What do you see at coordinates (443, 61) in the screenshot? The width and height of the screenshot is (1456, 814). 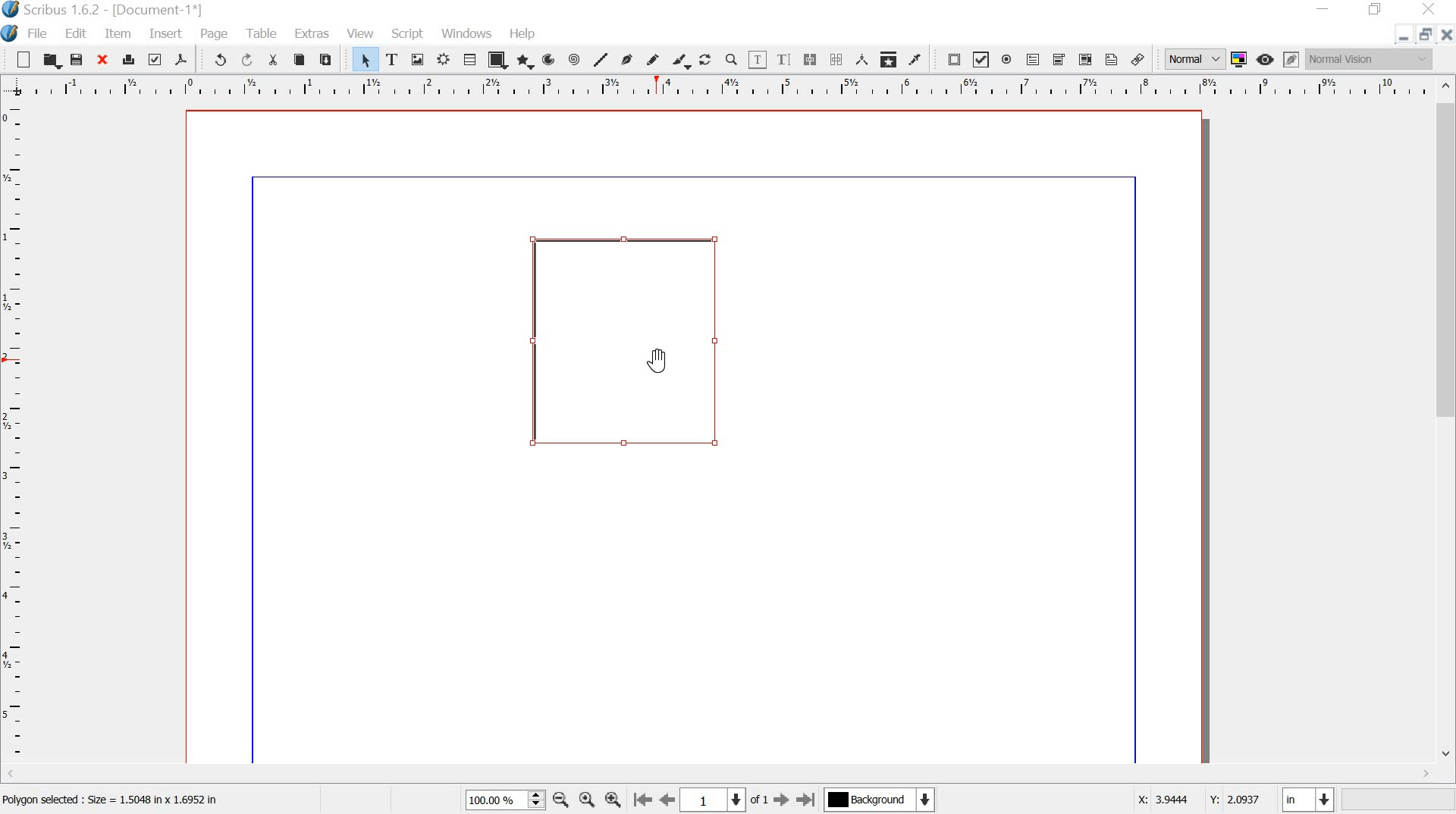 I see `render frame` at bounding box center [443, 61].